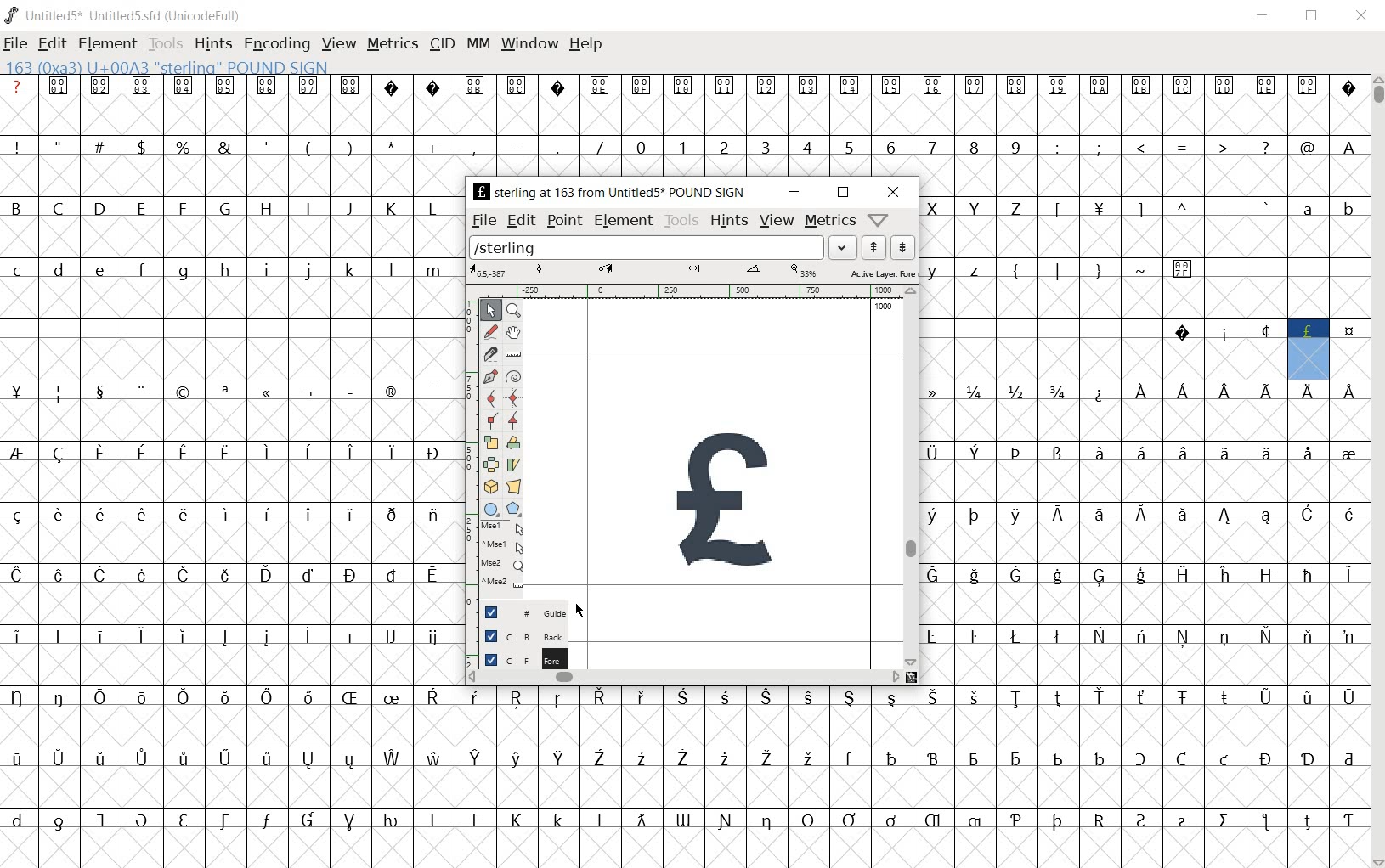  I want to click on Symbol, so click(973, 515).